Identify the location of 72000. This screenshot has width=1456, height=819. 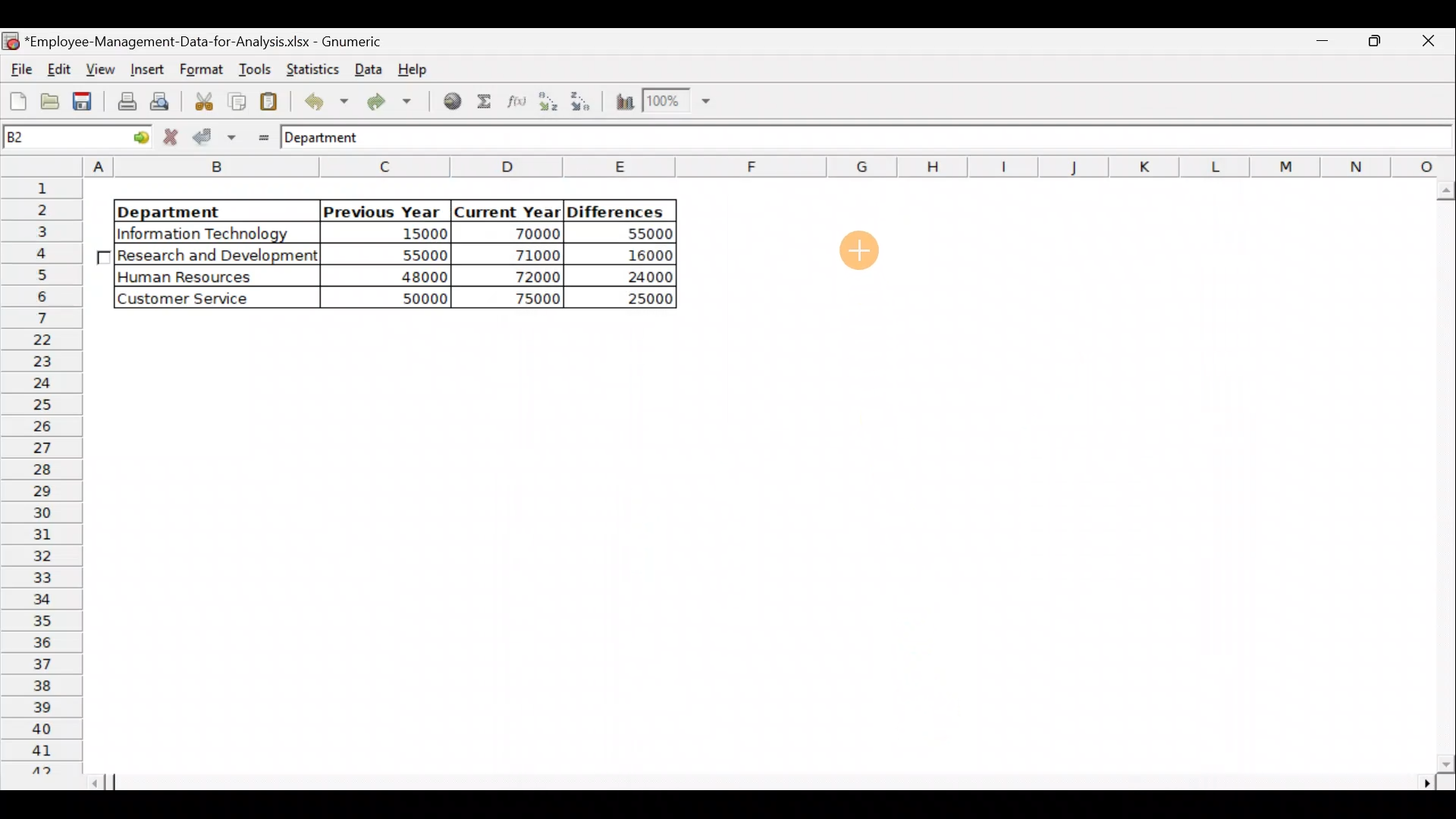
(525, 276).